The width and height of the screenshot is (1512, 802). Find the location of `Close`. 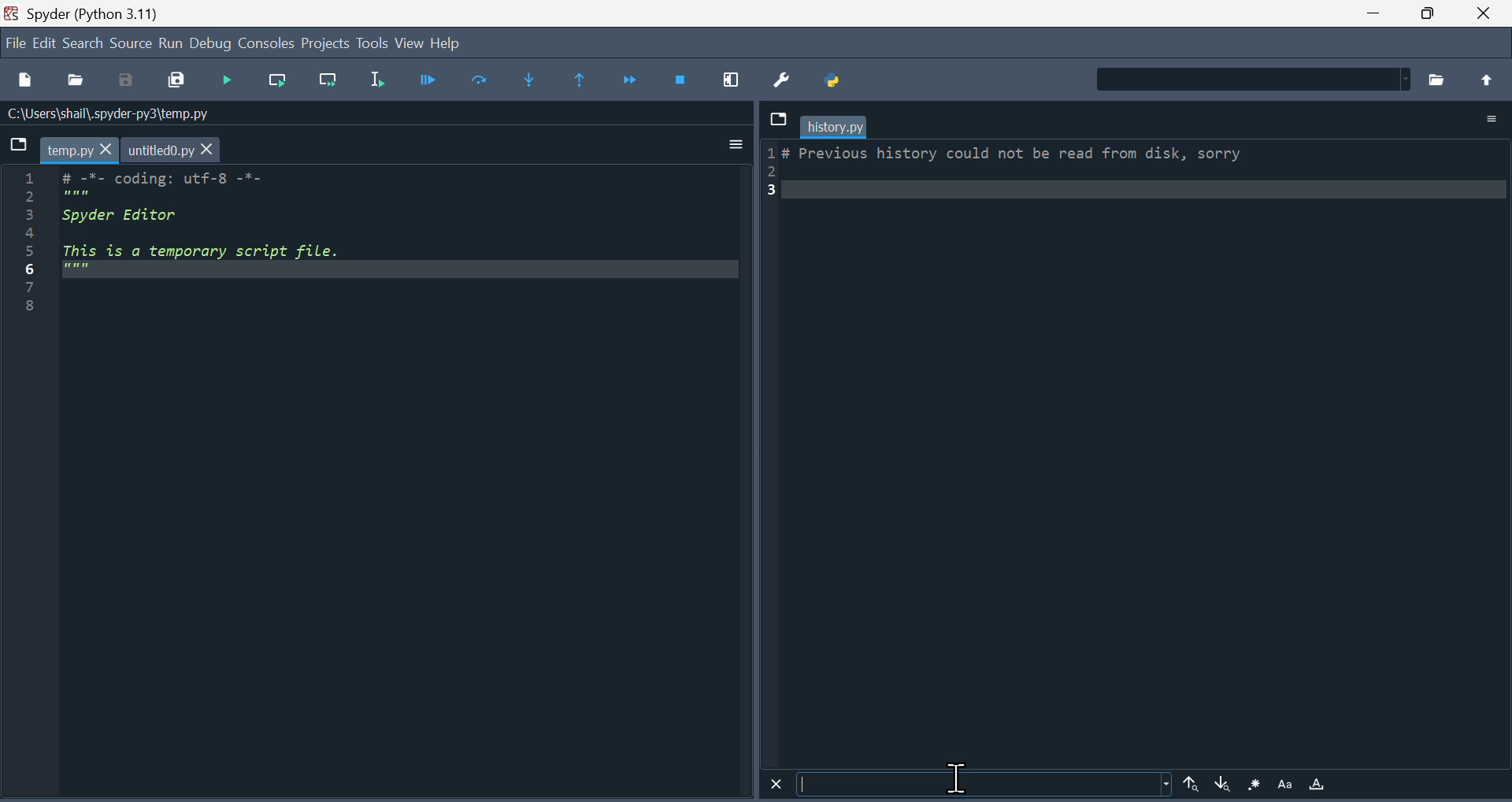

Close is located at coordinates (773, 785).